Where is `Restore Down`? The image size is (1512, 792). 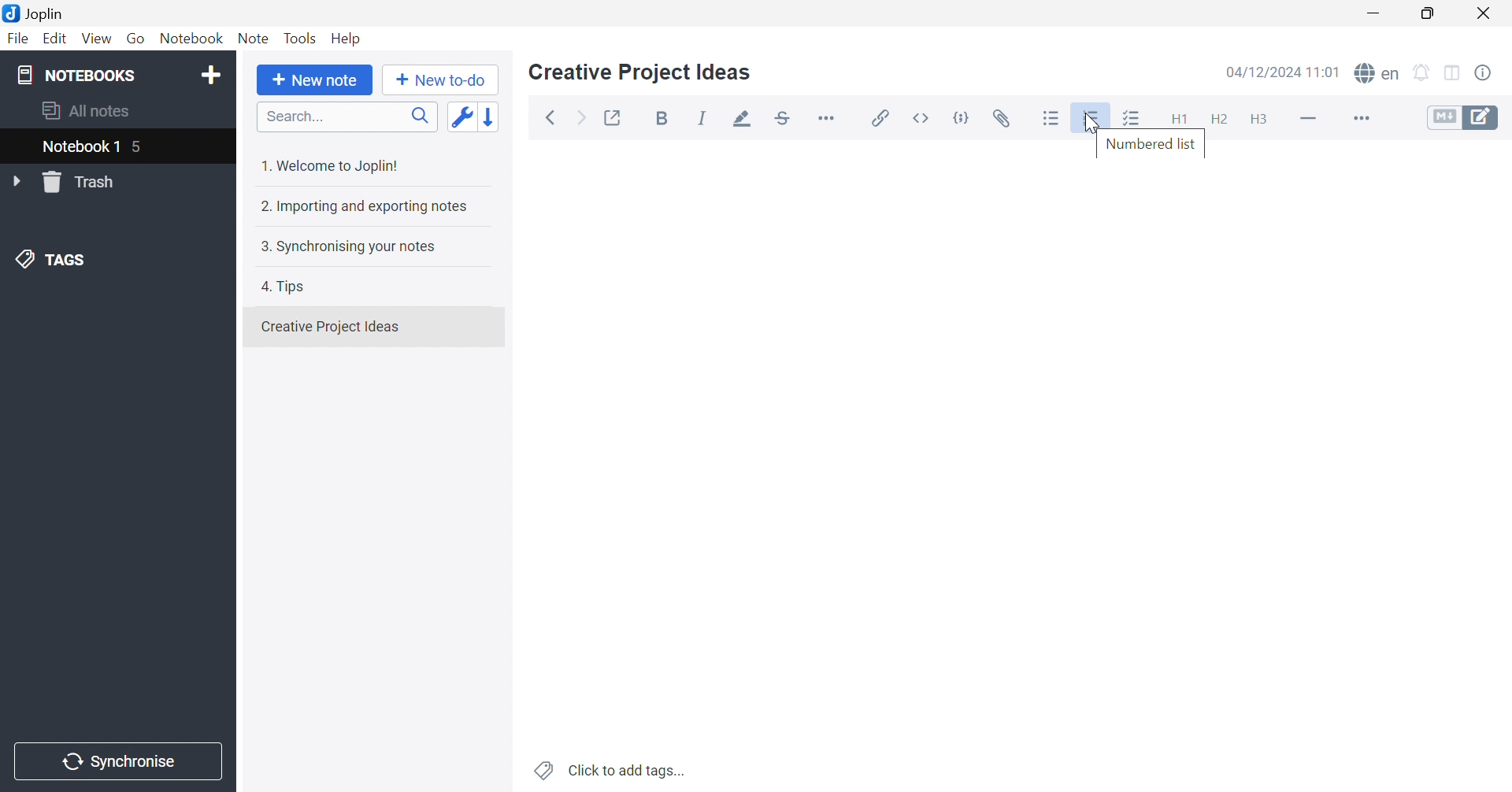 Restore Down is located at coordinates (1435, 15).